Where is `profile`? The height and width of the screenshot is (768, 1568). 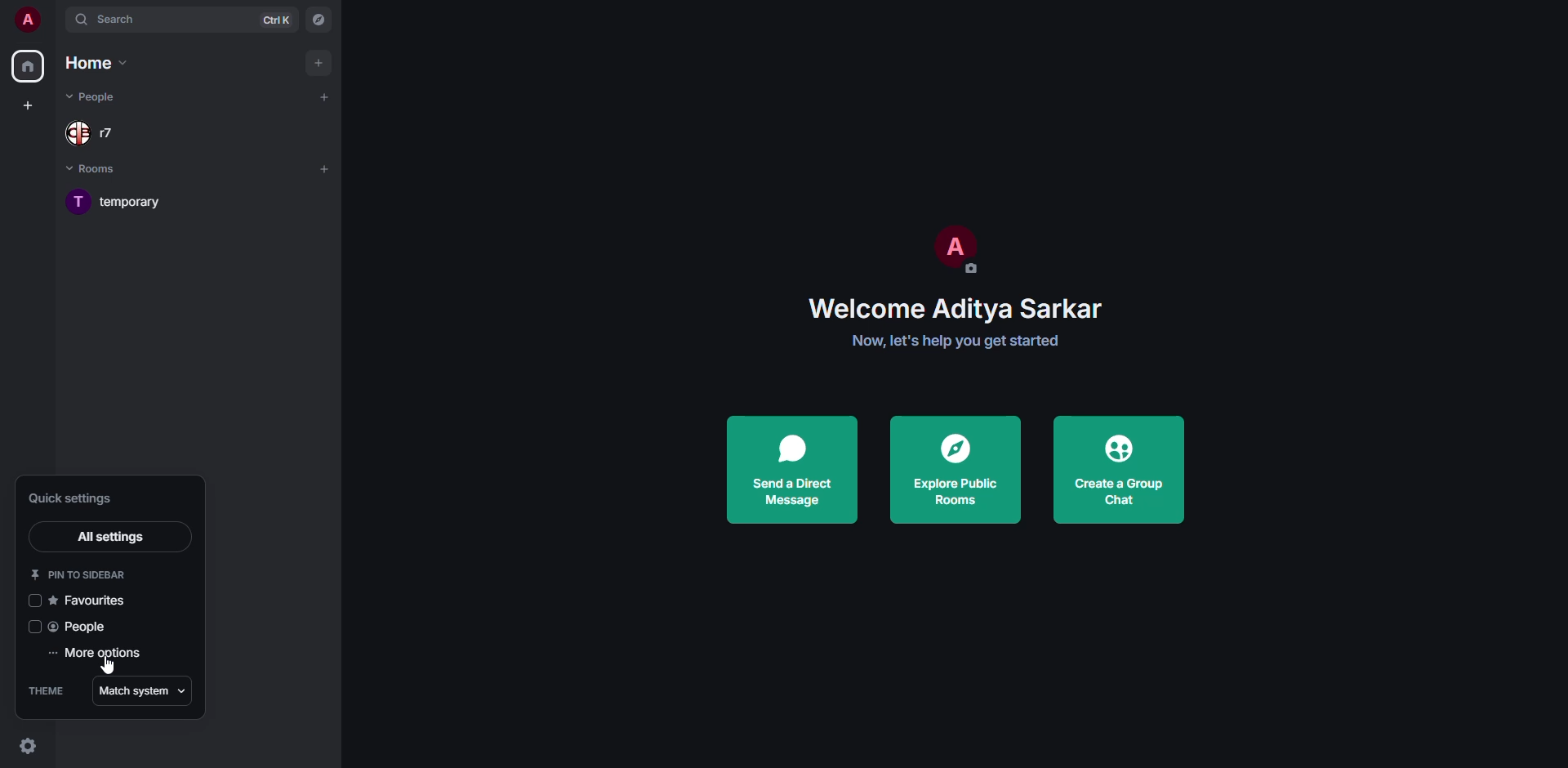
profile is located at coordinates (24, 20).